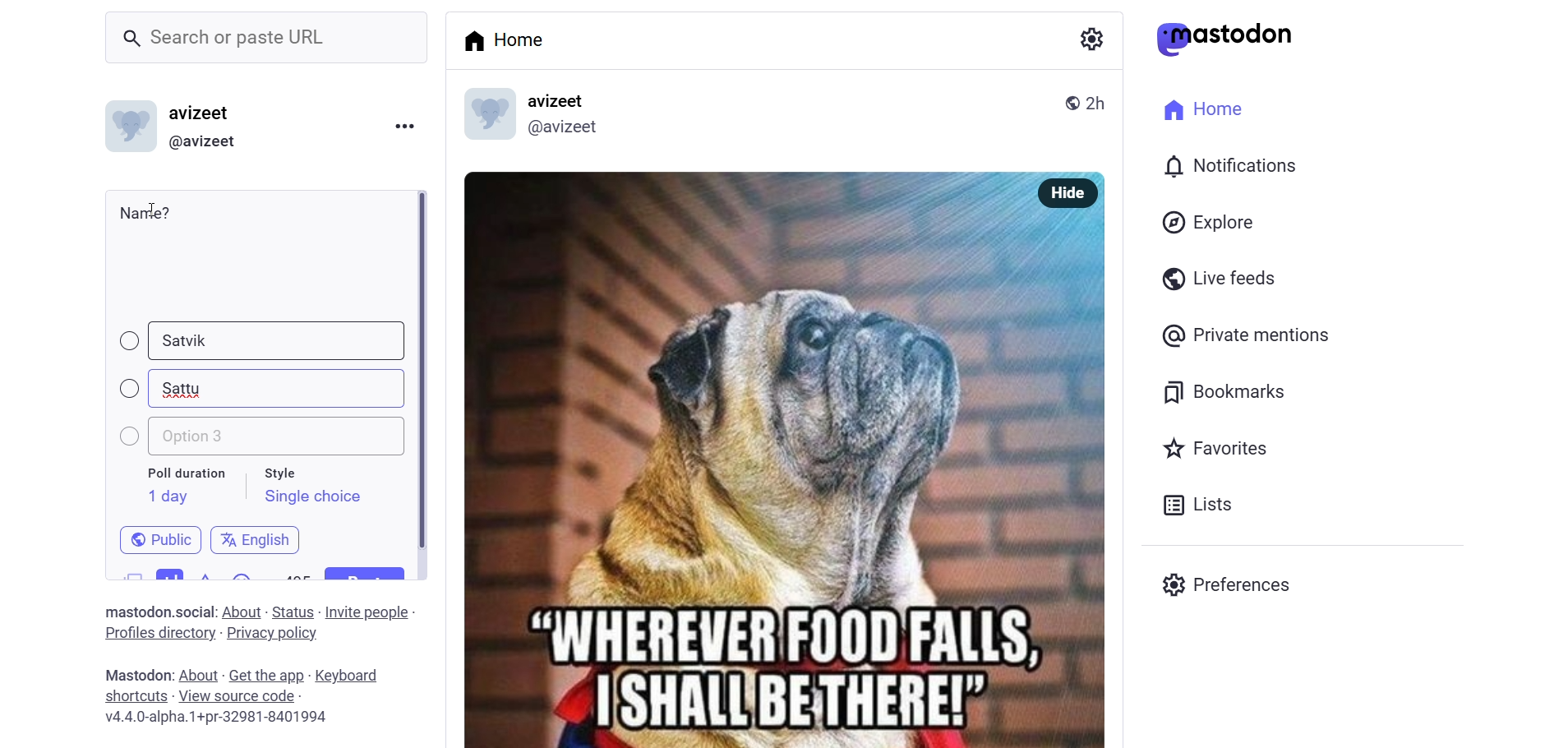  What do you see at coordinates (371, 612) in the screenshot?
I see `invite people` at bounding box center [371, 612].